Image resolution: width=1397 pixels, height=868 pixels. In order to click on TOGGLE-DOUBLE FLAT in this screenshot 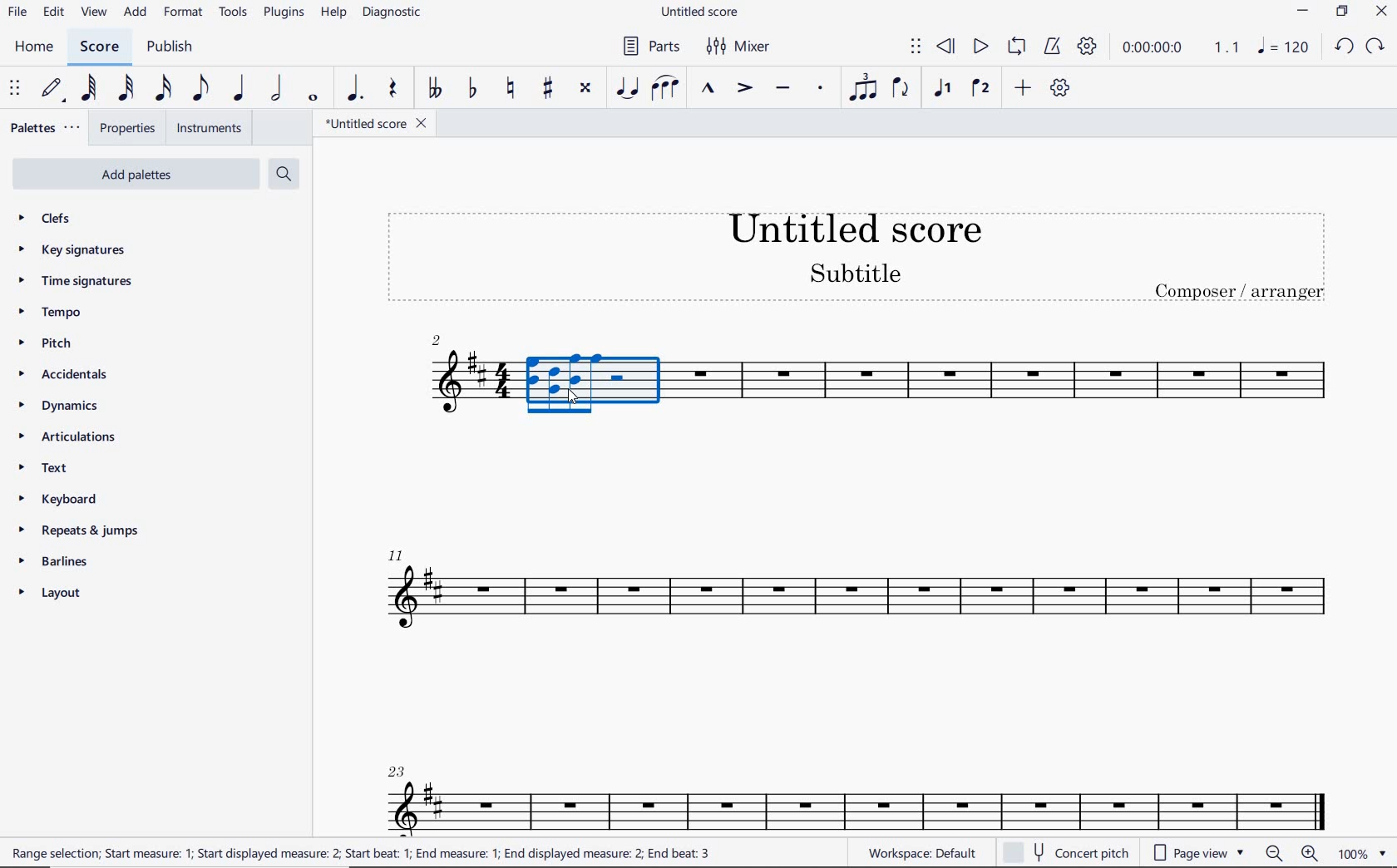, I will do `click(434, 88)`.